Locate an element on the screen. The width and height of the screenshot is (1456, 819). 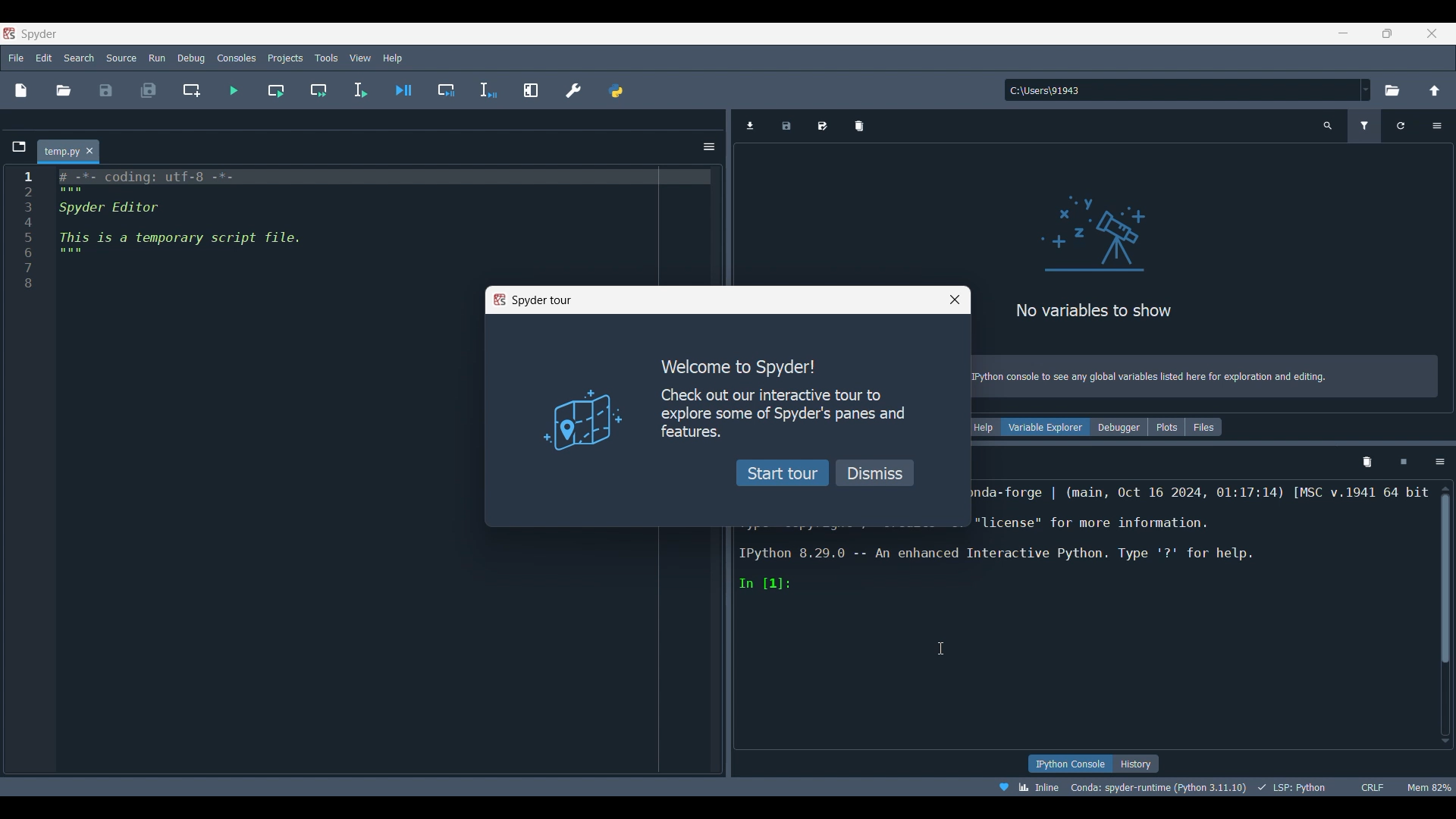
Browse tabs is located at coordinates (749, 125).